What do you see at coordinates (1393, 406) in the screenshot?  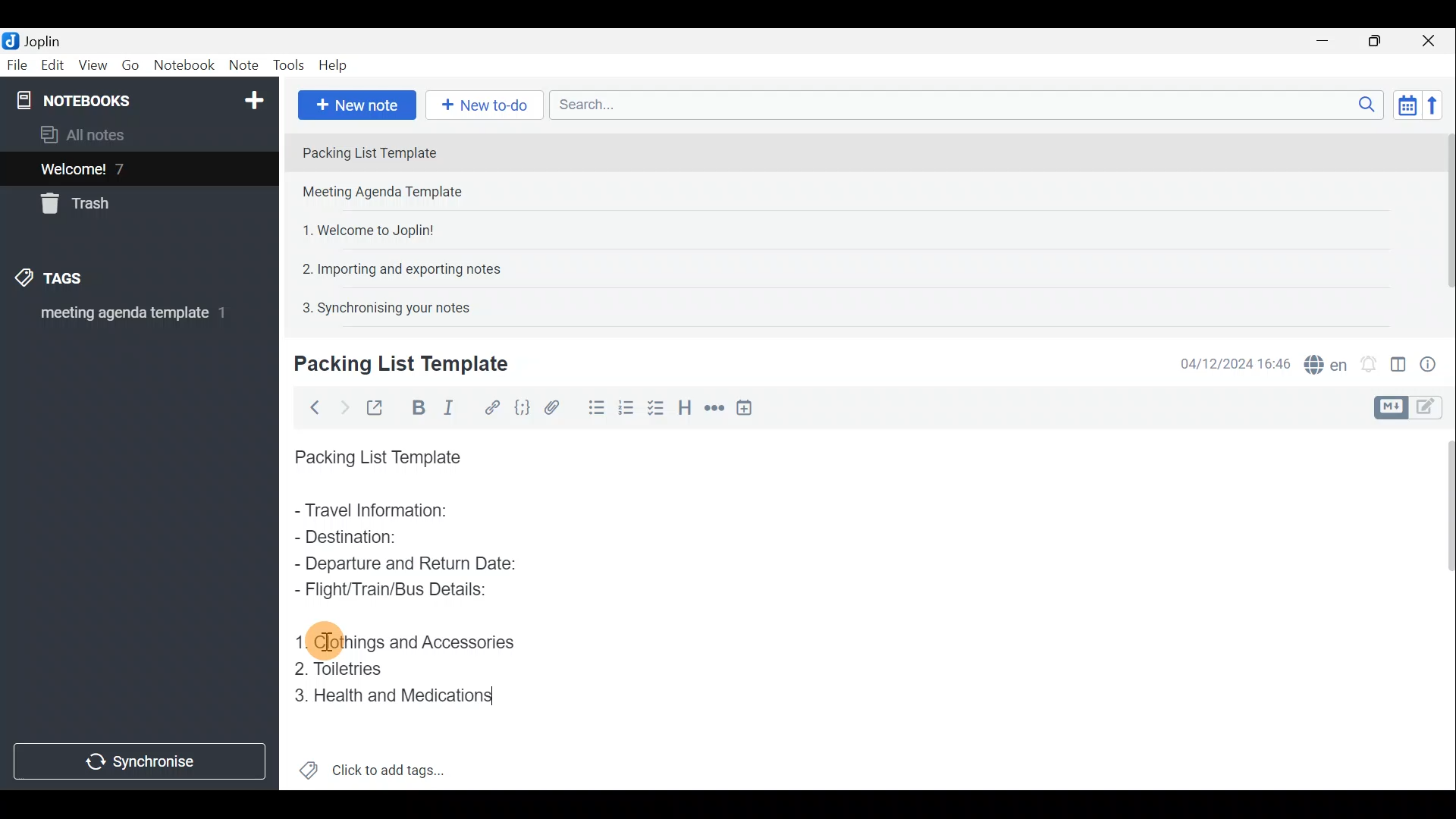 I see `Toggle editors` at bounding box center [1393, 406].